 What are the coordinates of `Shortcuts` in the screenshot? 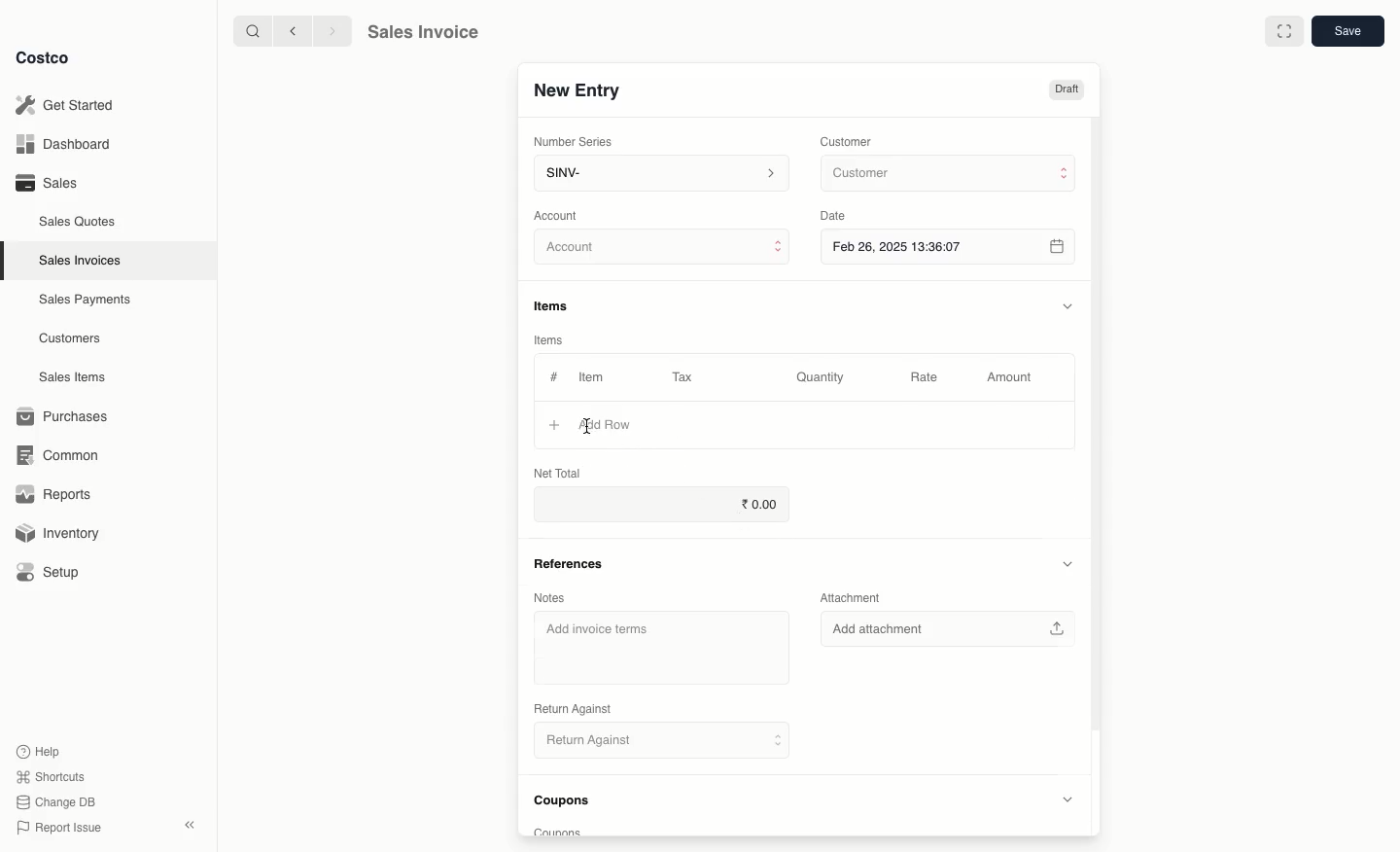 It's located at (50, 777).